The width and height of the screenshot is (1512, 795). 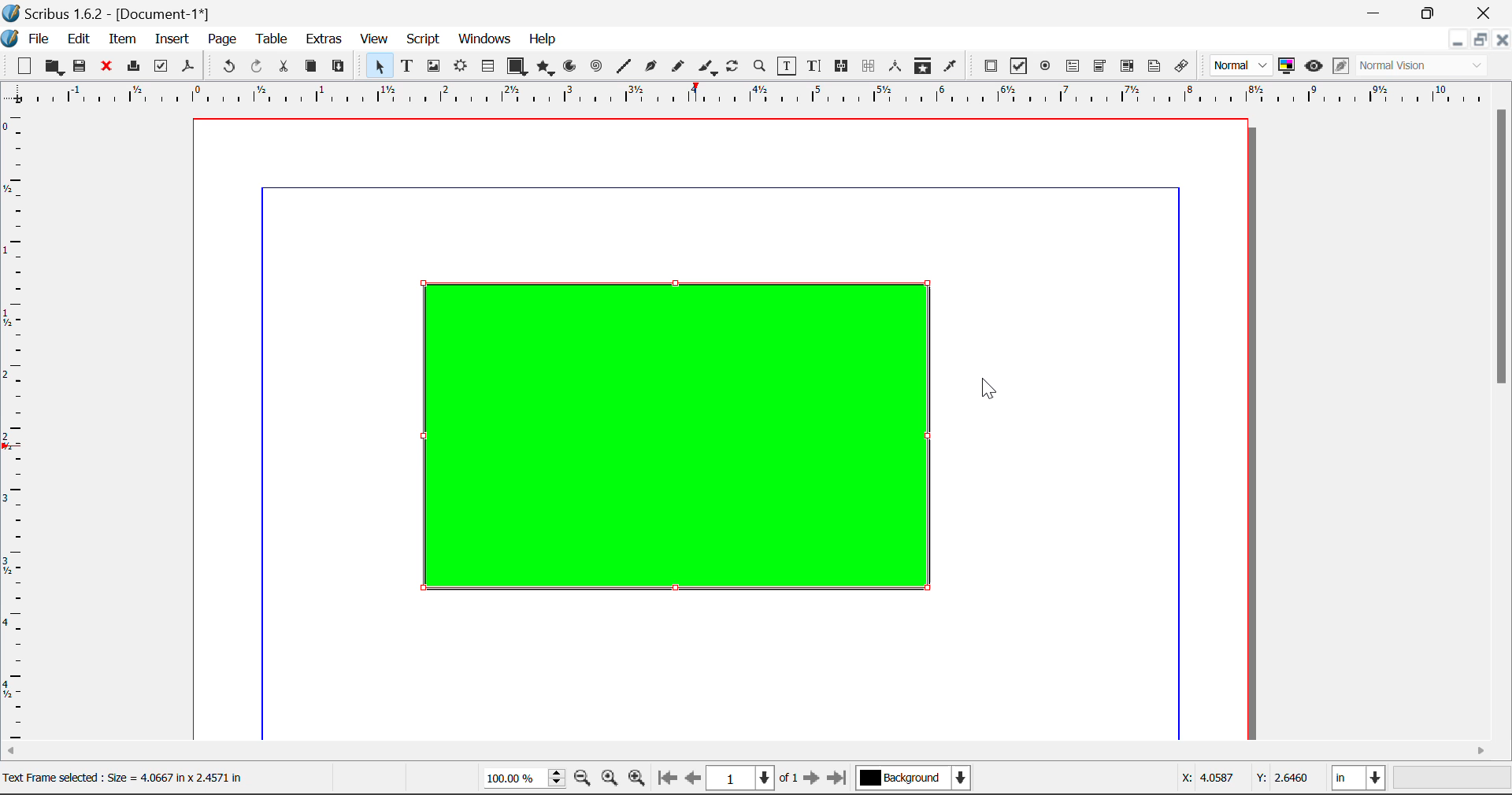 I want to click on Pdf Push Button, so click(x=991, y=65).